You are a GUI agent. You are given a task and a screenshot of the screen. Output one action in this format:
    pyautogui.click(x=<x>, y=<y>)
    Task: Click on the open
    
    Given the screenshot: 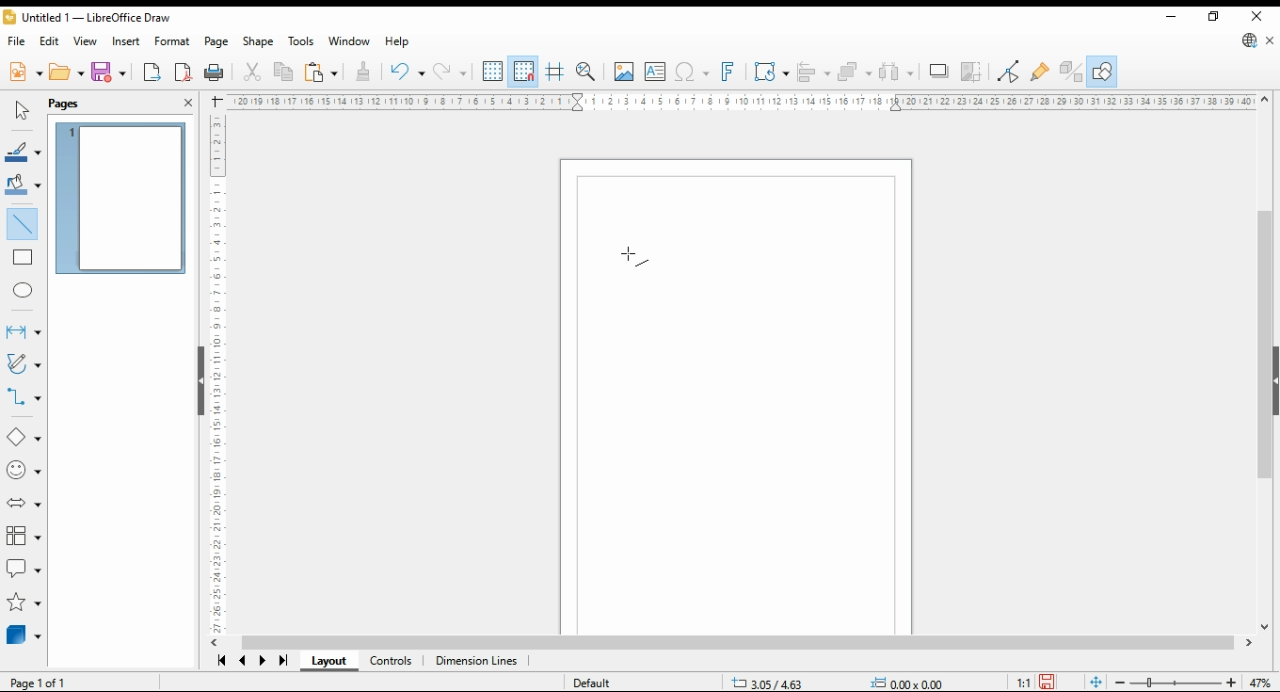 What is the action you would take?
    pyautogui.click(x=66, y=73)
    